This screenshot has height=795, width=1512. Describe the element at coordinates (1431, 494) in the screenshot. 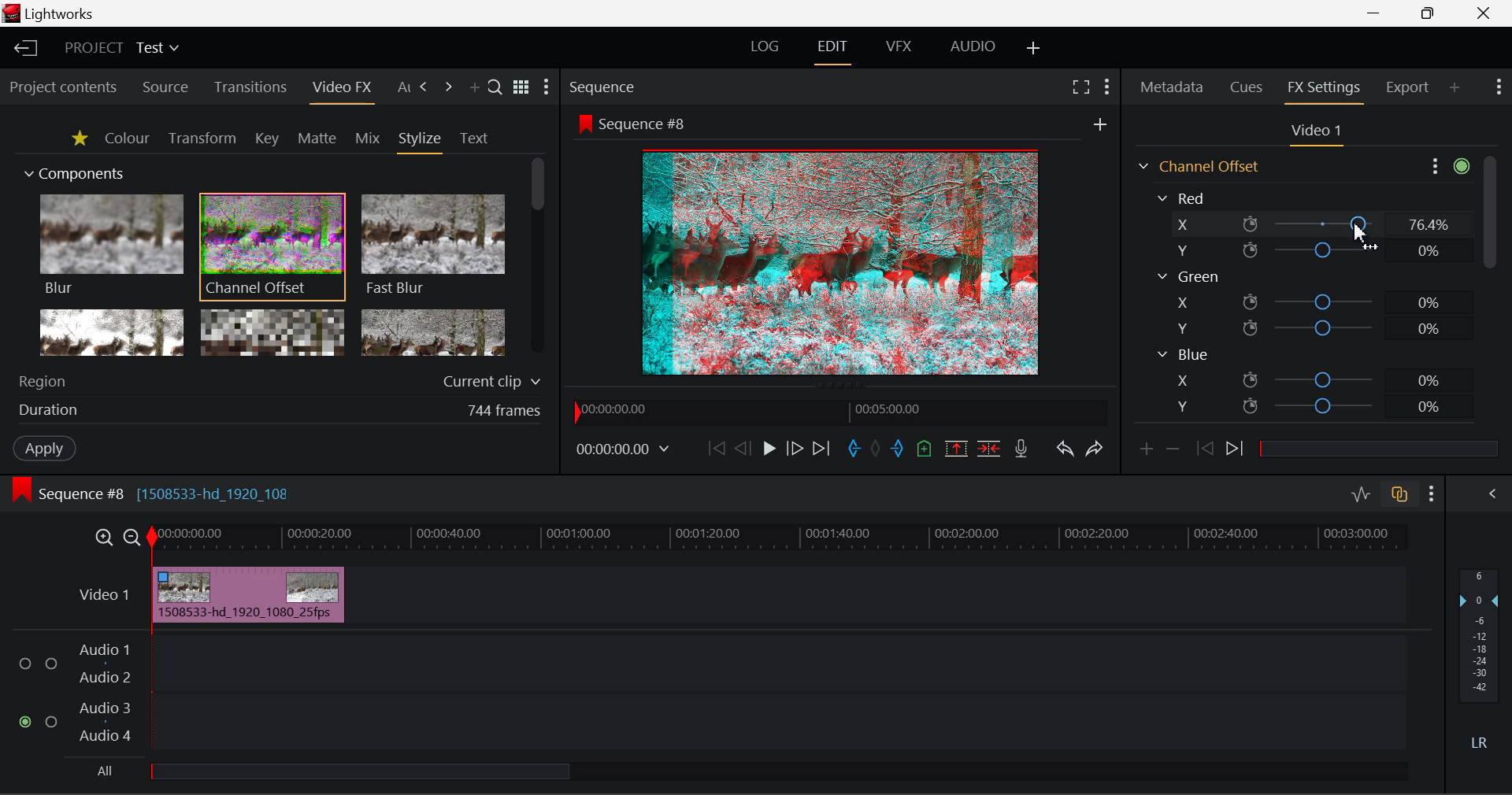

I see `Show Settings` at that location.